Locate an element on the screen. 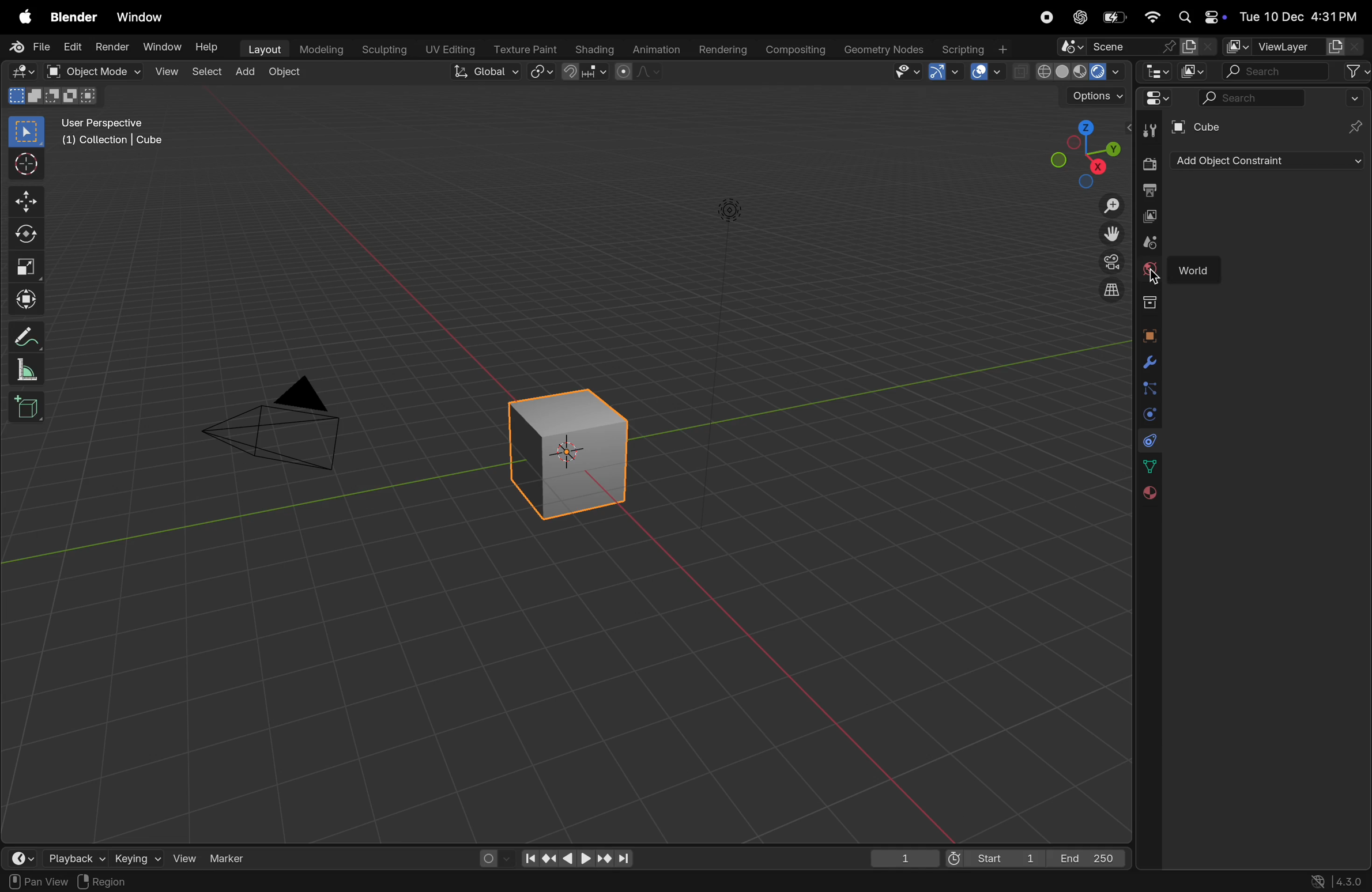  scene is located at coordinates (1145, 242).